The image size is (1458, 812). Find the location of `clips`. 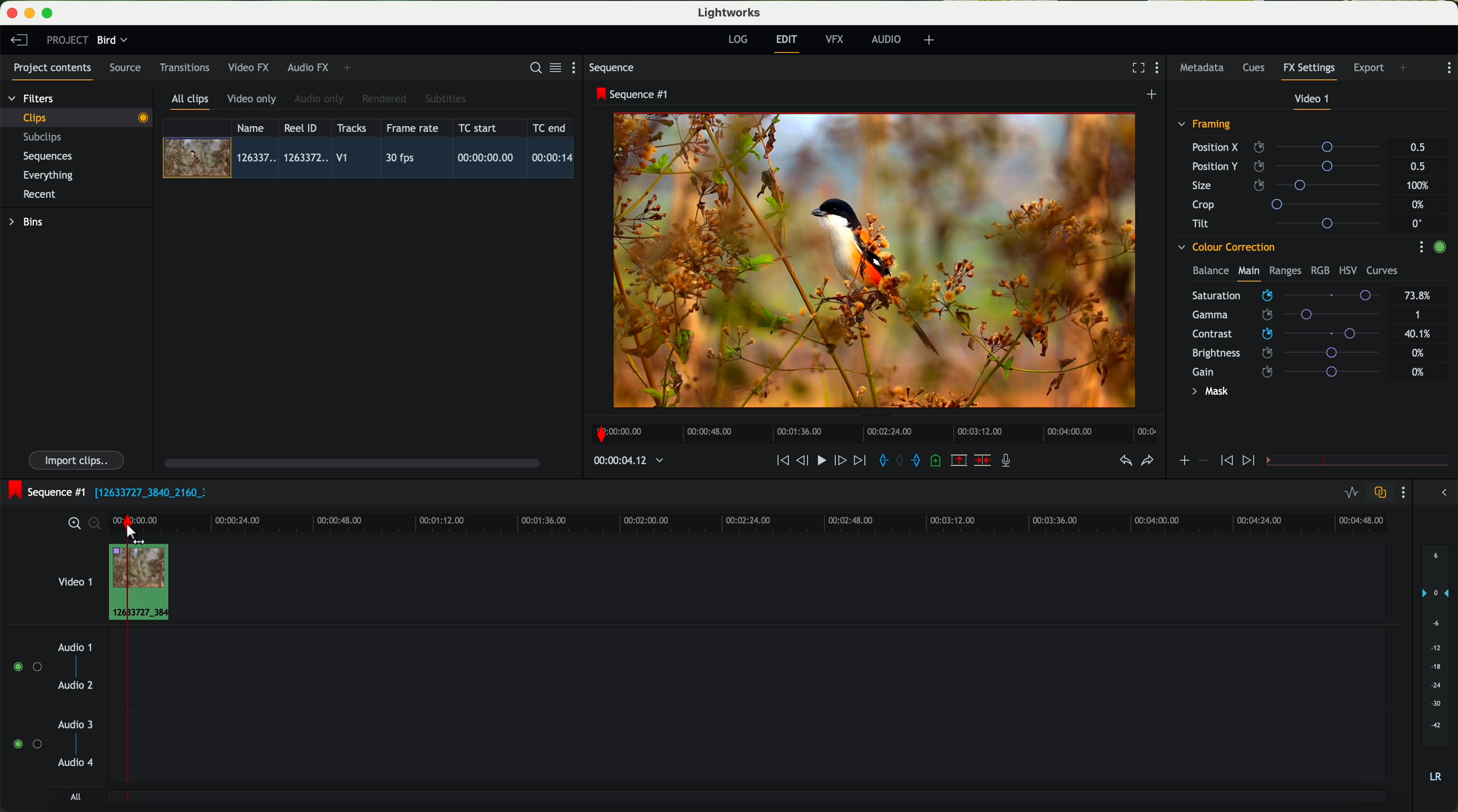

clips is located at coordinates (77, 117).